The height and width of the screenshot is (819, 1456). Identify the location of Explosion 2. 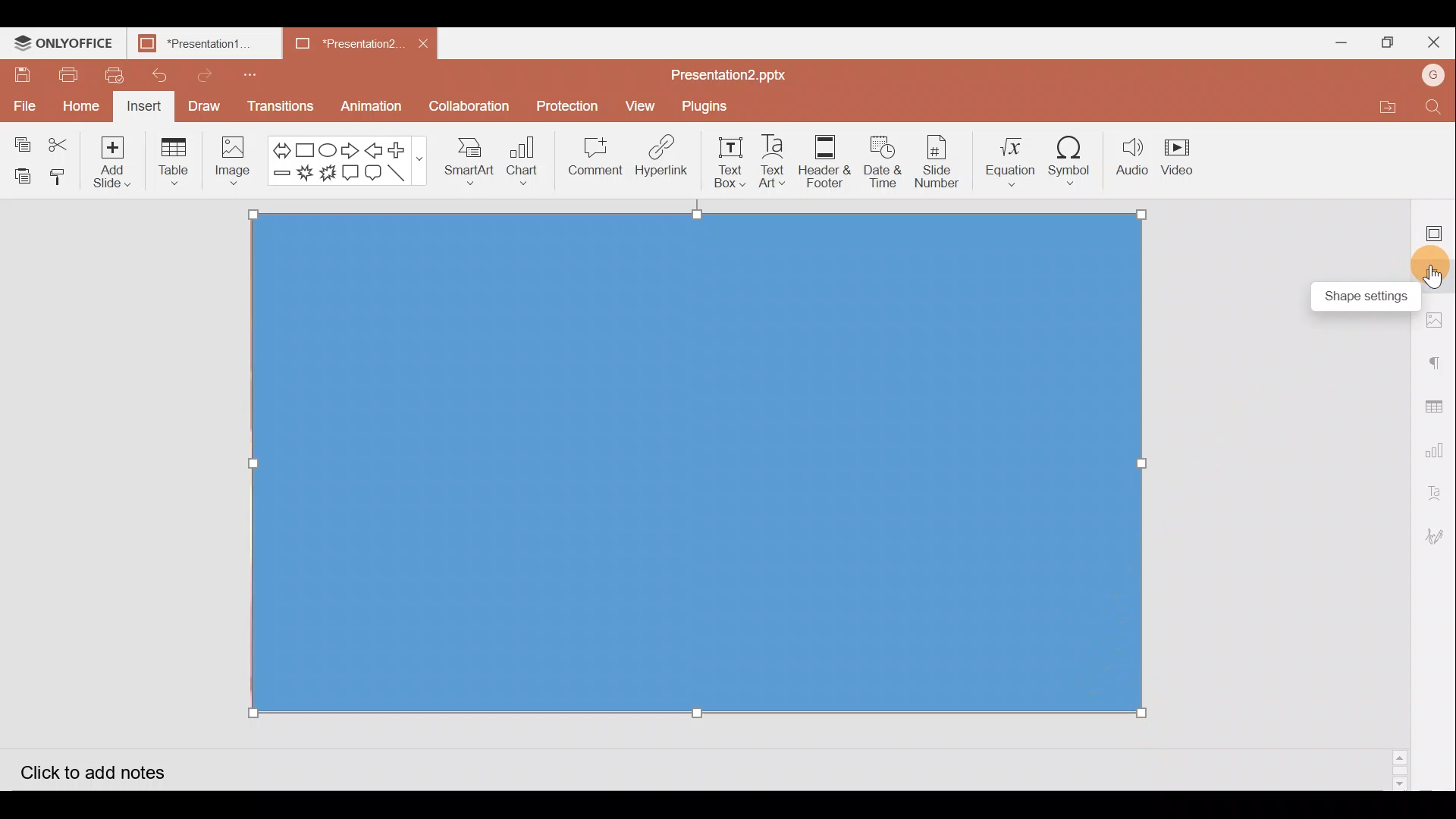
(328, 178).